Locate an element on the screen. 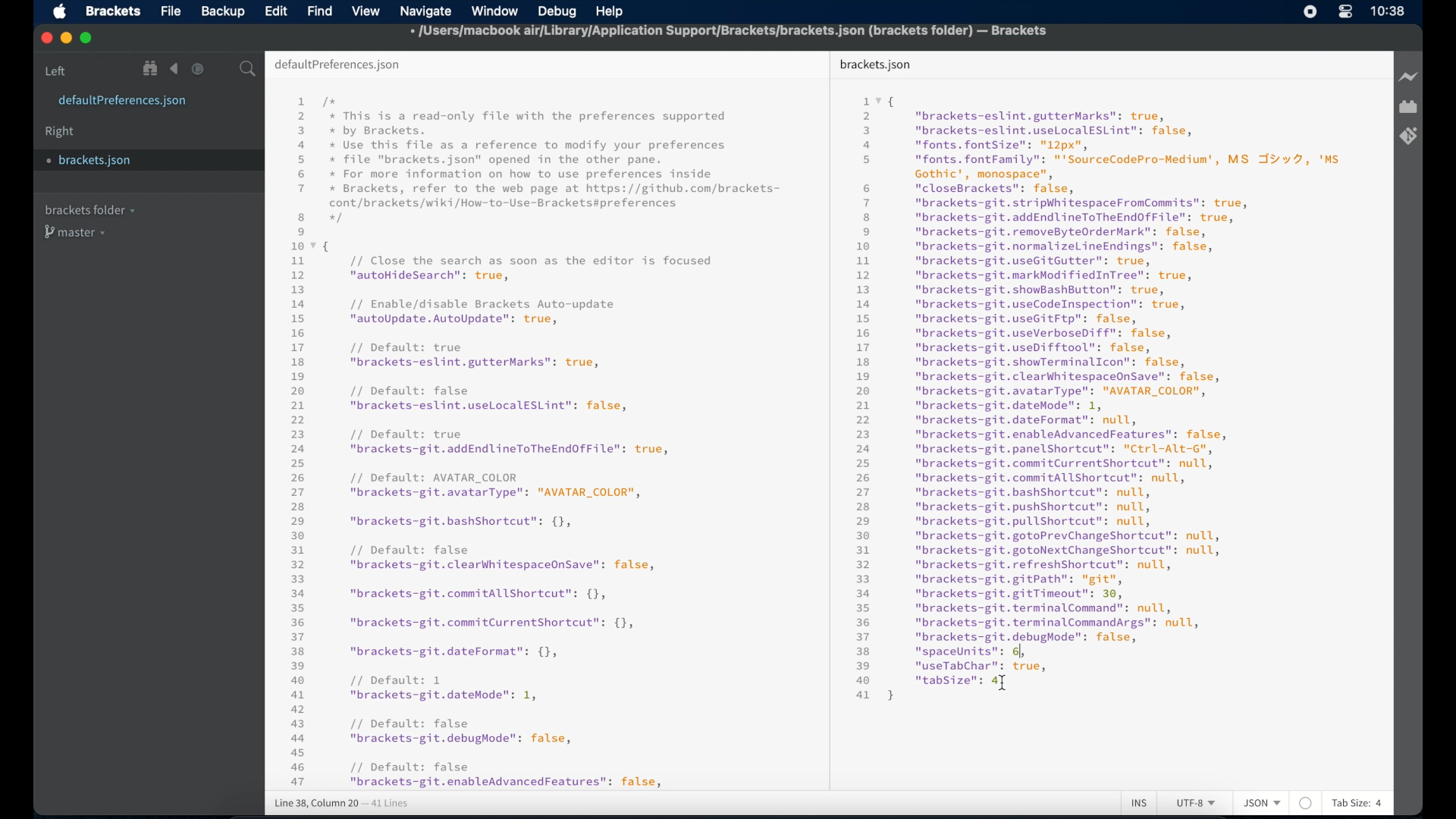 Image resolution: width=1456 pixels, height=819 pixels. time is located at coordinates (1388, 11).